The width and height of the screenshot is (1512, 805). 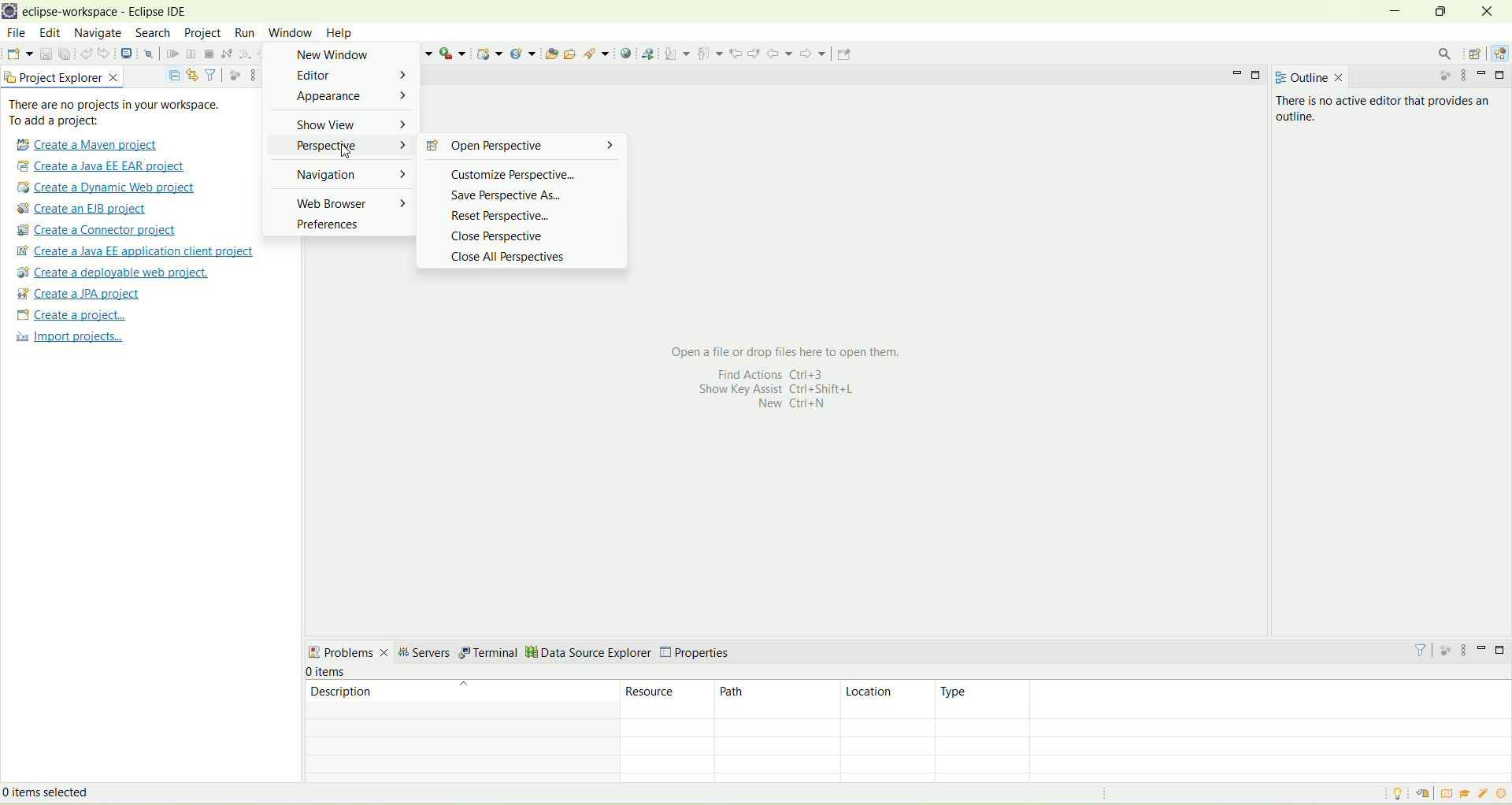 What do you see at coordinates (1450, 794) in the screenshot?
I see `overview` at bounding box center [1450, 794].